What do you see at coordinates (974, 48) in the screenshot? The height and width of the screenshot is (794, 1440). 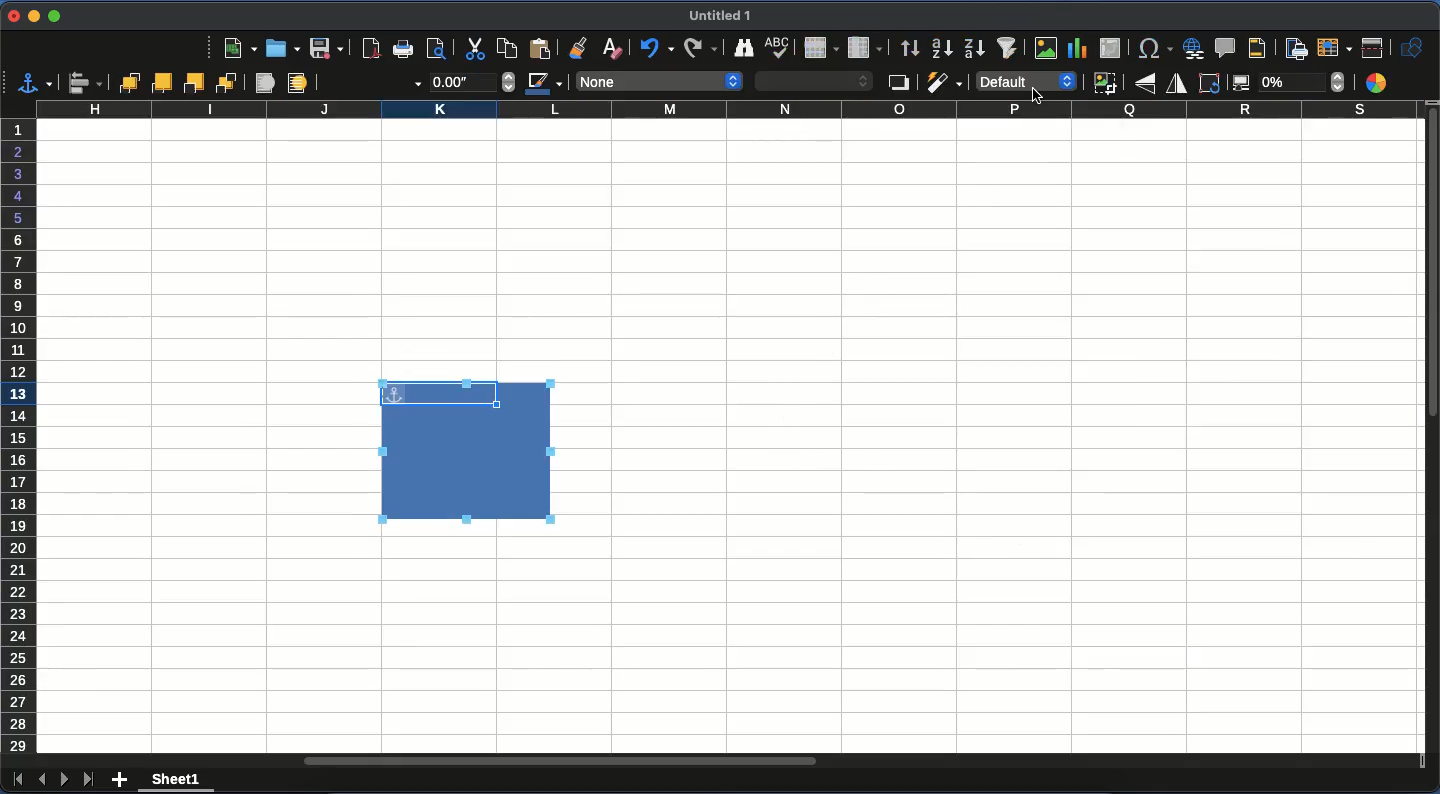 I see `descending` at bounding box center [974, 48].